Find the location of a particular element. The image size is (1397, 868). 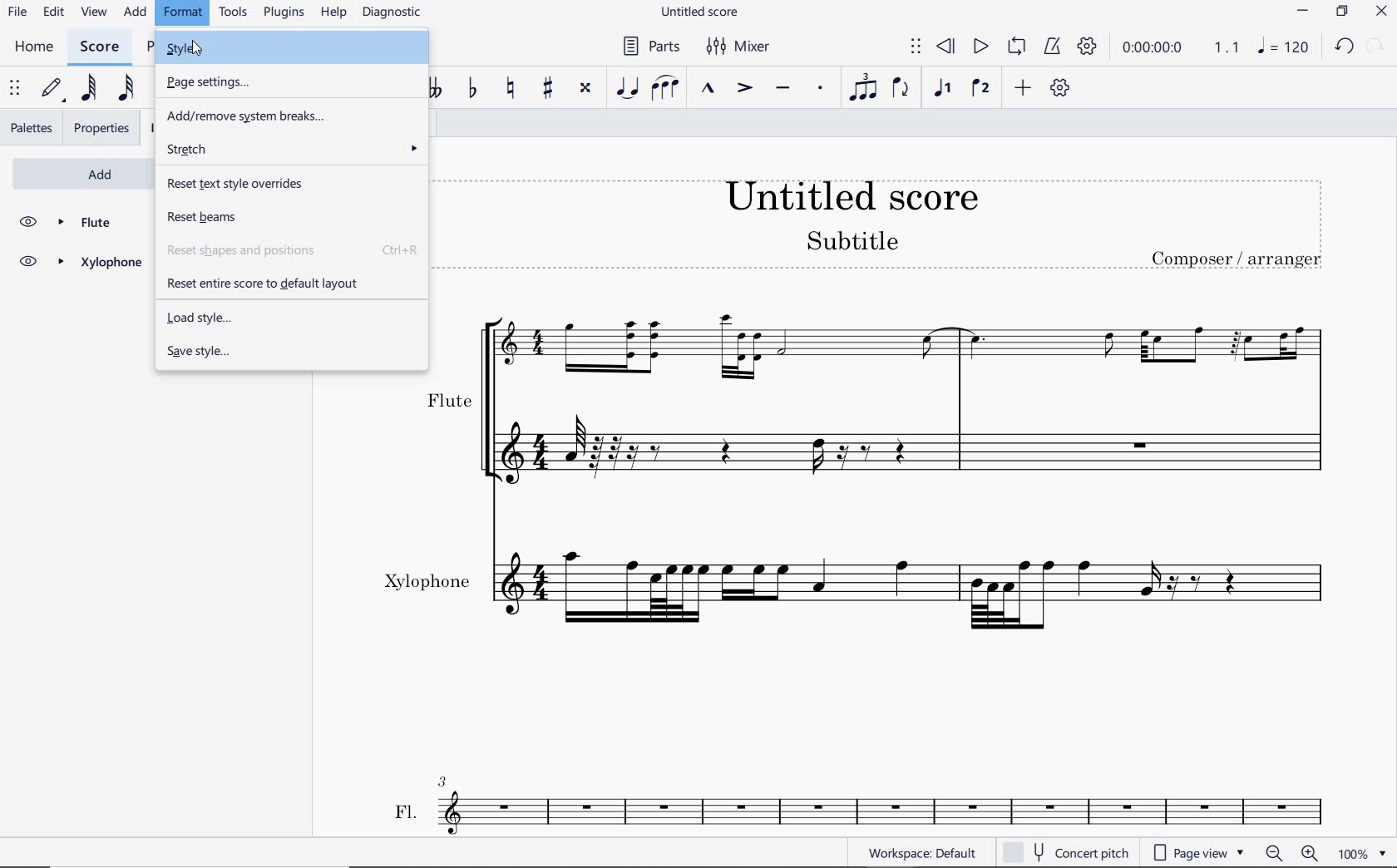

TUPLET is located at coordinates (863, 86).